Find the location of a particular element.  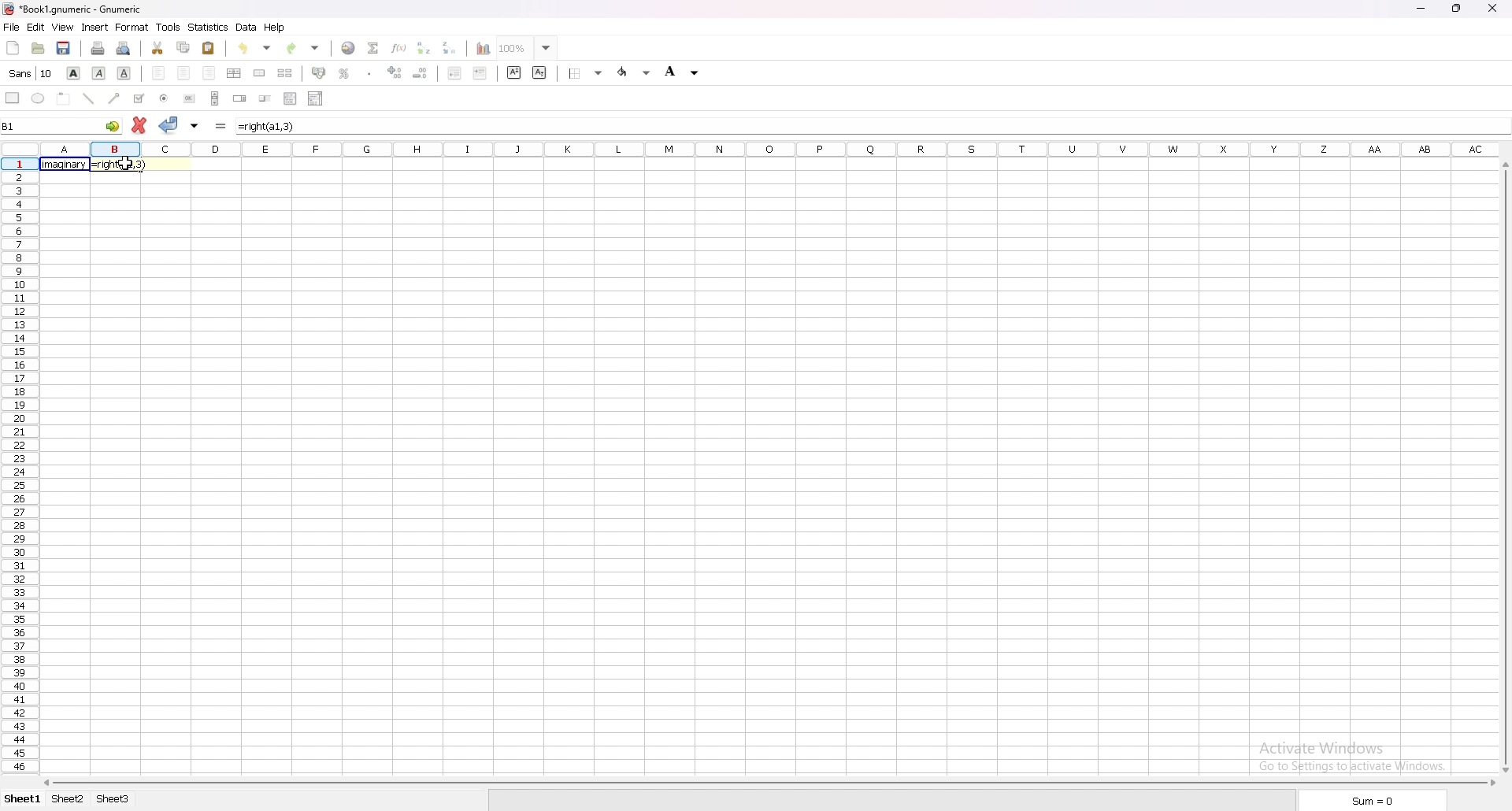

border is located at coordinates (586, 74).